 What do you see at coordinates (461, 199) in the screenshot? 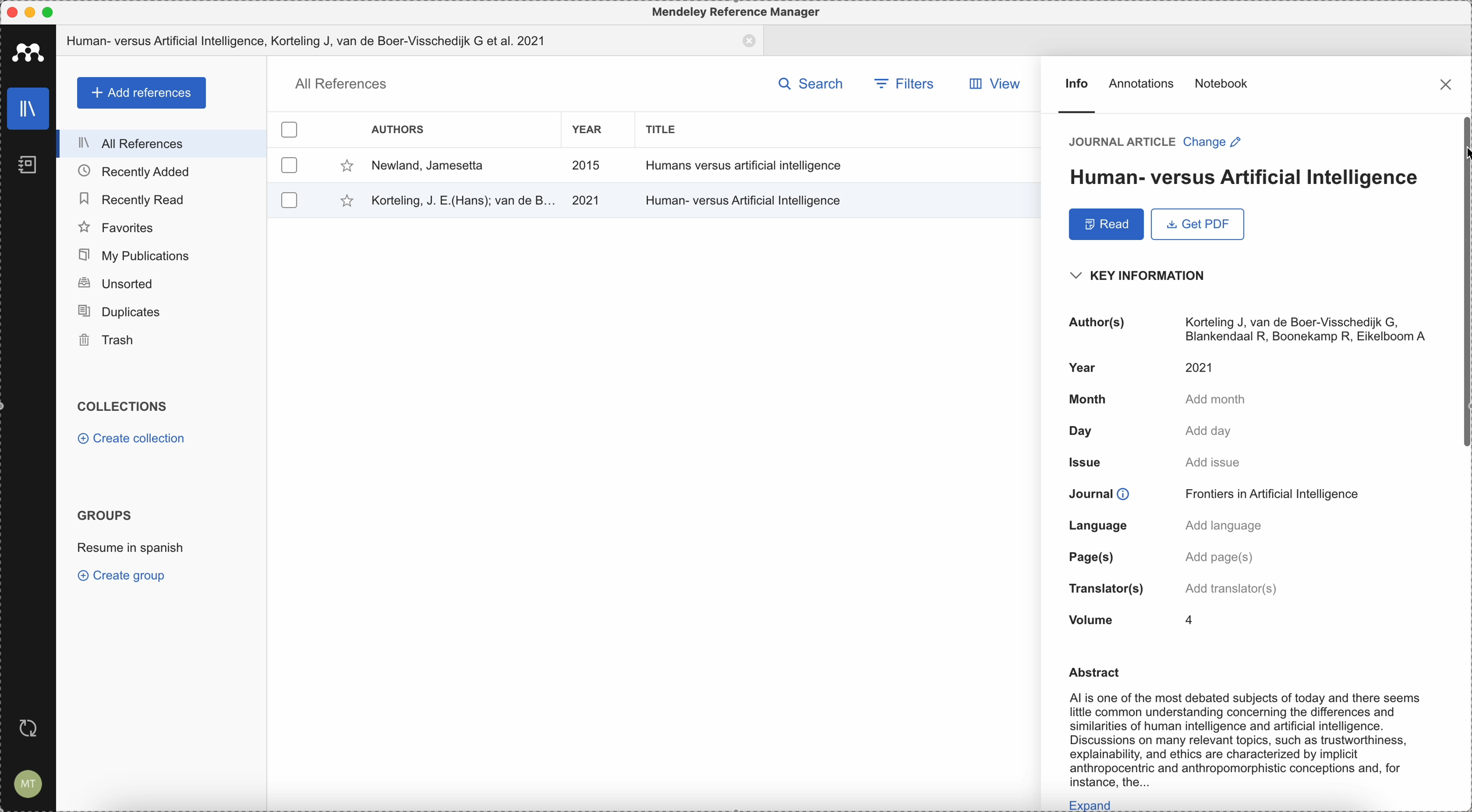
I see `Korteling, J.E(Hans); van de B.` at bounding box center [461, 199].